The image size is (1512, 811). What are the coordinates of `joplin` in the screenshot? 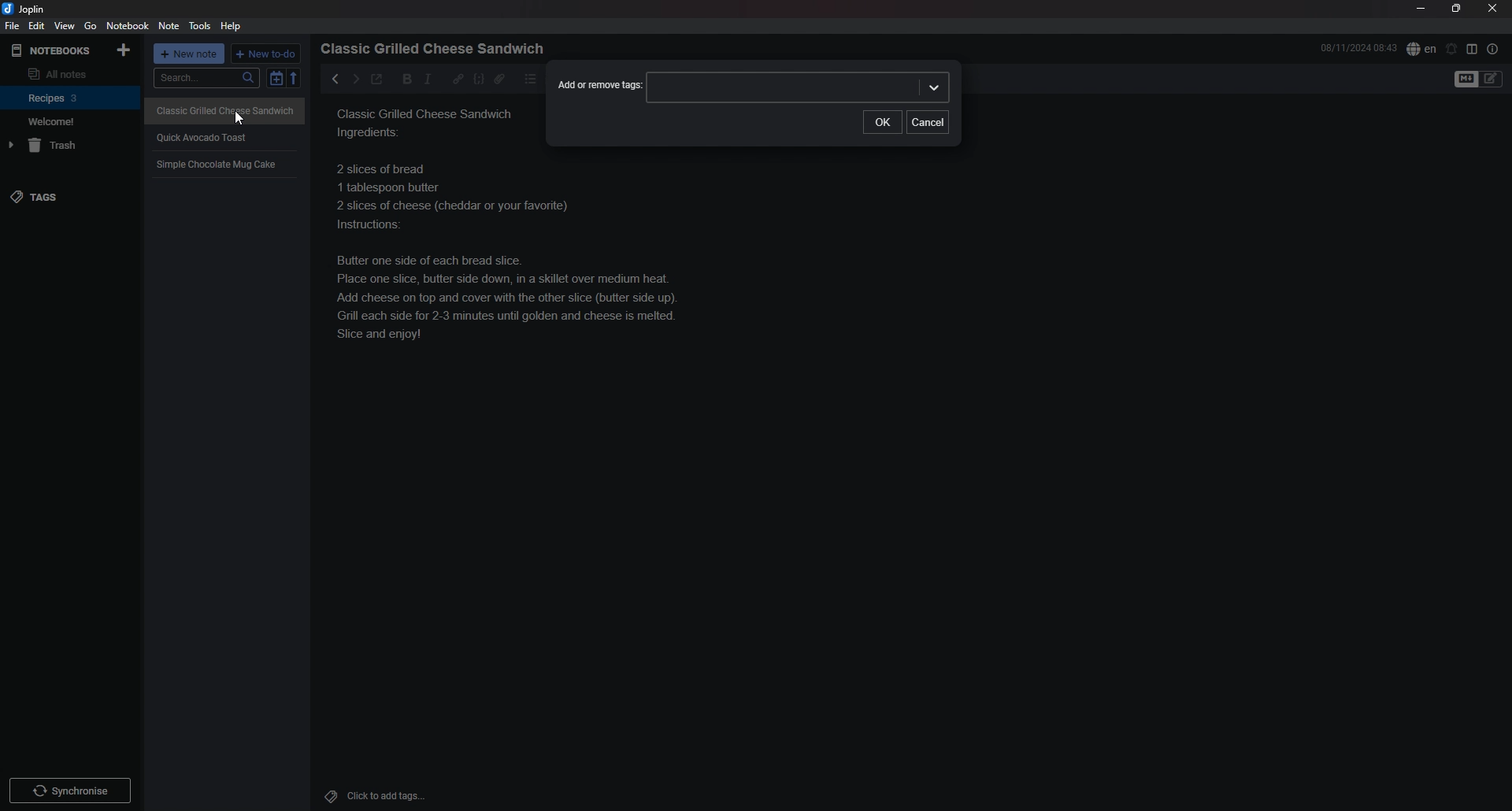 It's located at (26, 9).